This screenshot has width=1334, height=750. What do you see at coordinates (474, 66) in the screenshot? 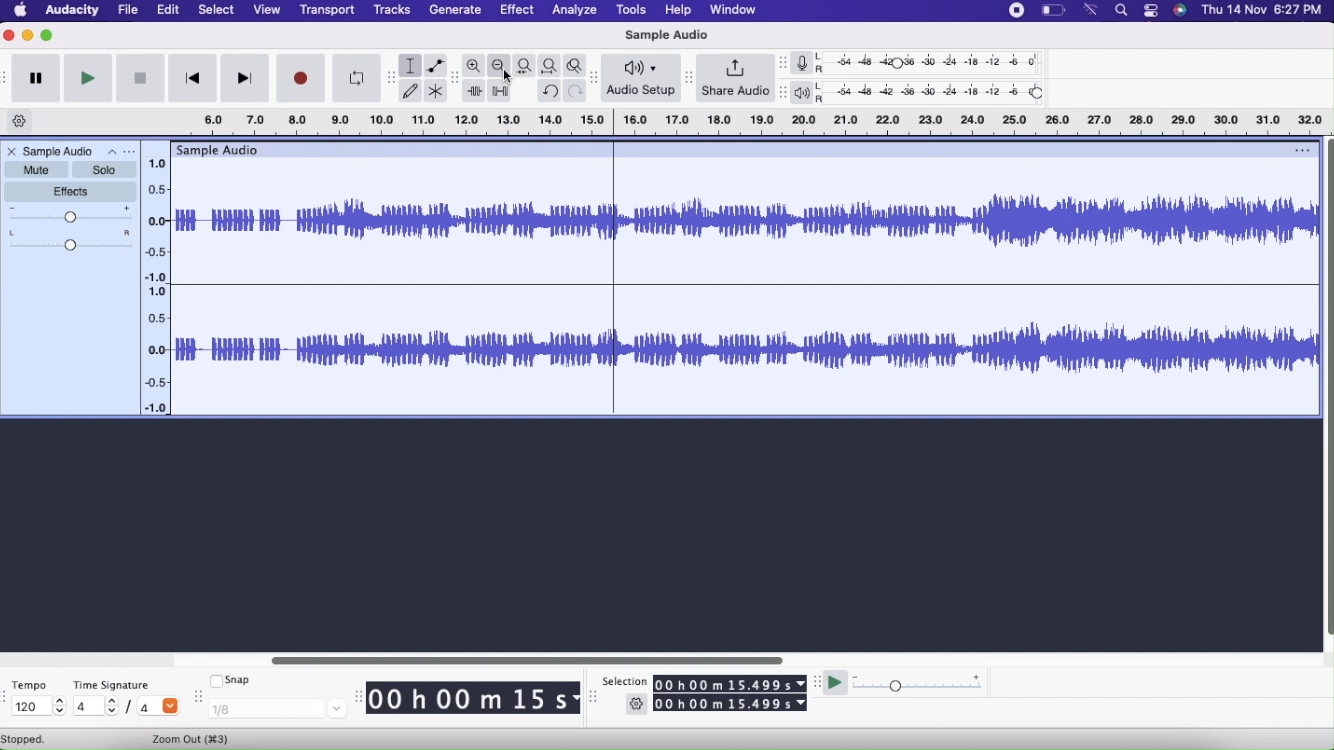
I see `Zoom In` at bounding box center [474, 66].